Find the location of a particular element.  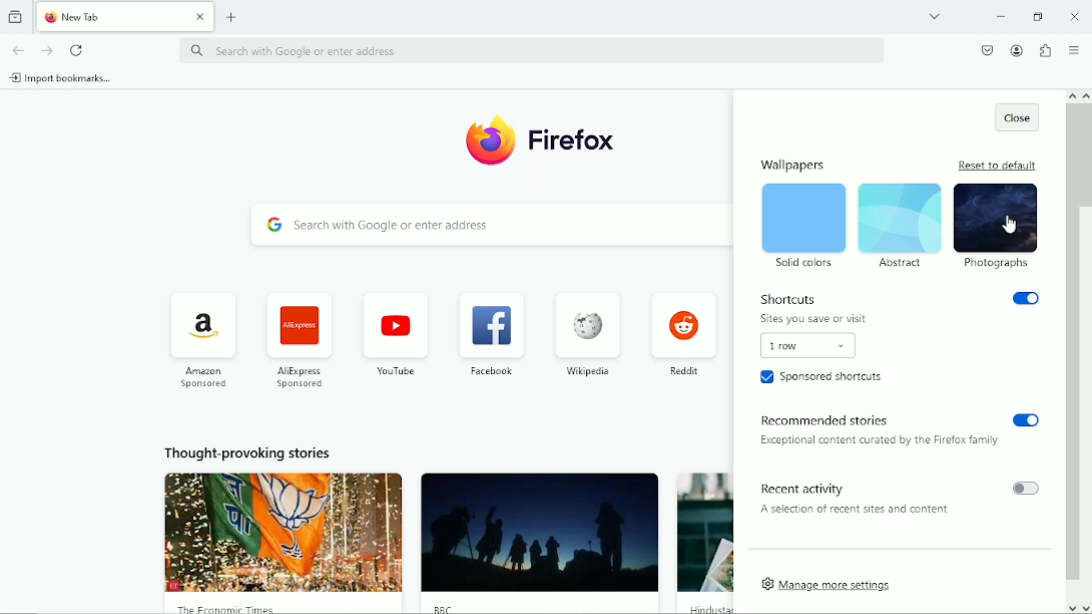

Shortcuts is located at coordinates (896, 297).